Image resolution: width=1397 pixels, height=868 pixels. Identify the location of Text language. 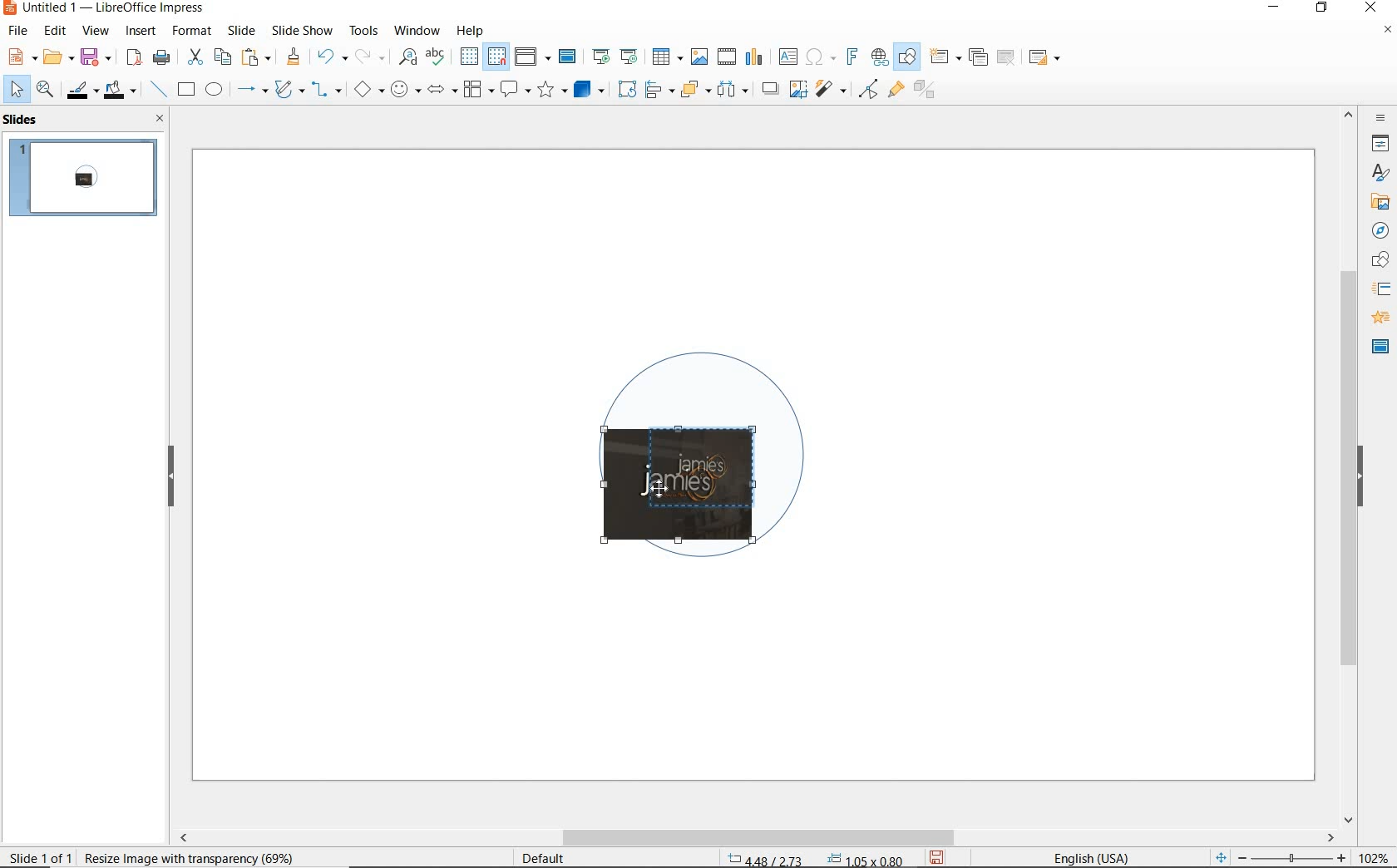
(1088, 856).